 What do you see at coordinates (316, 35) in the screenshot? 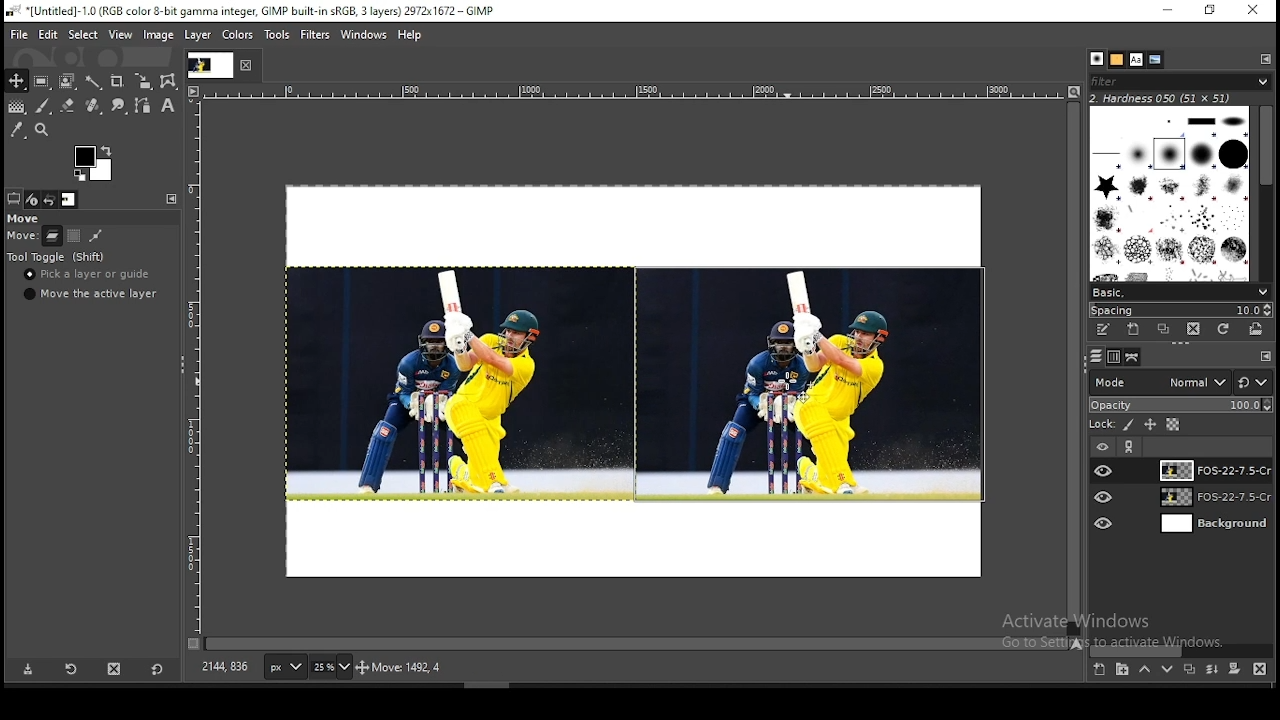
I see `filters` at bounding box center [316, 35].